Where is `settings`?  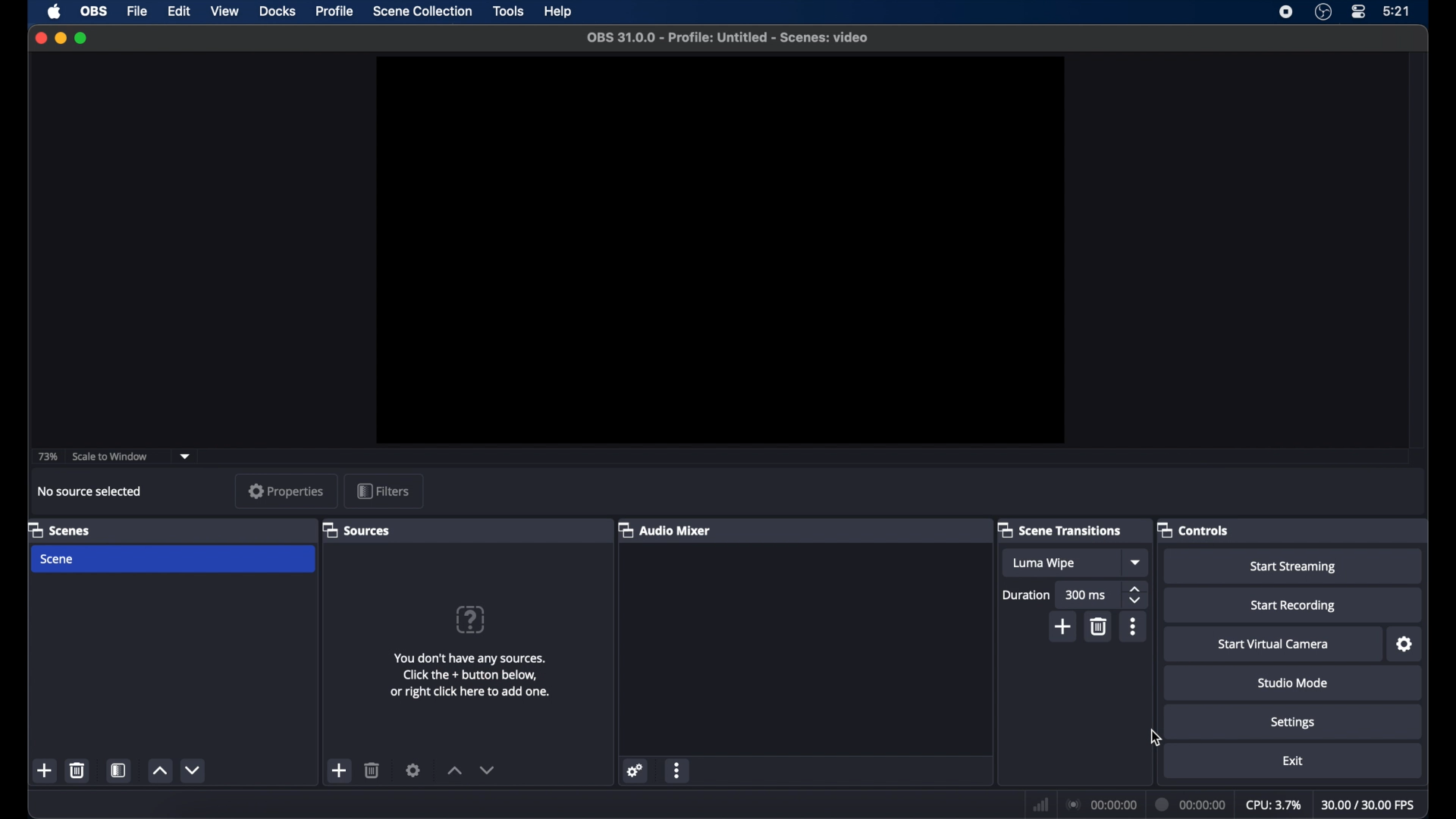 settings is located at coordinates (1292, 723).